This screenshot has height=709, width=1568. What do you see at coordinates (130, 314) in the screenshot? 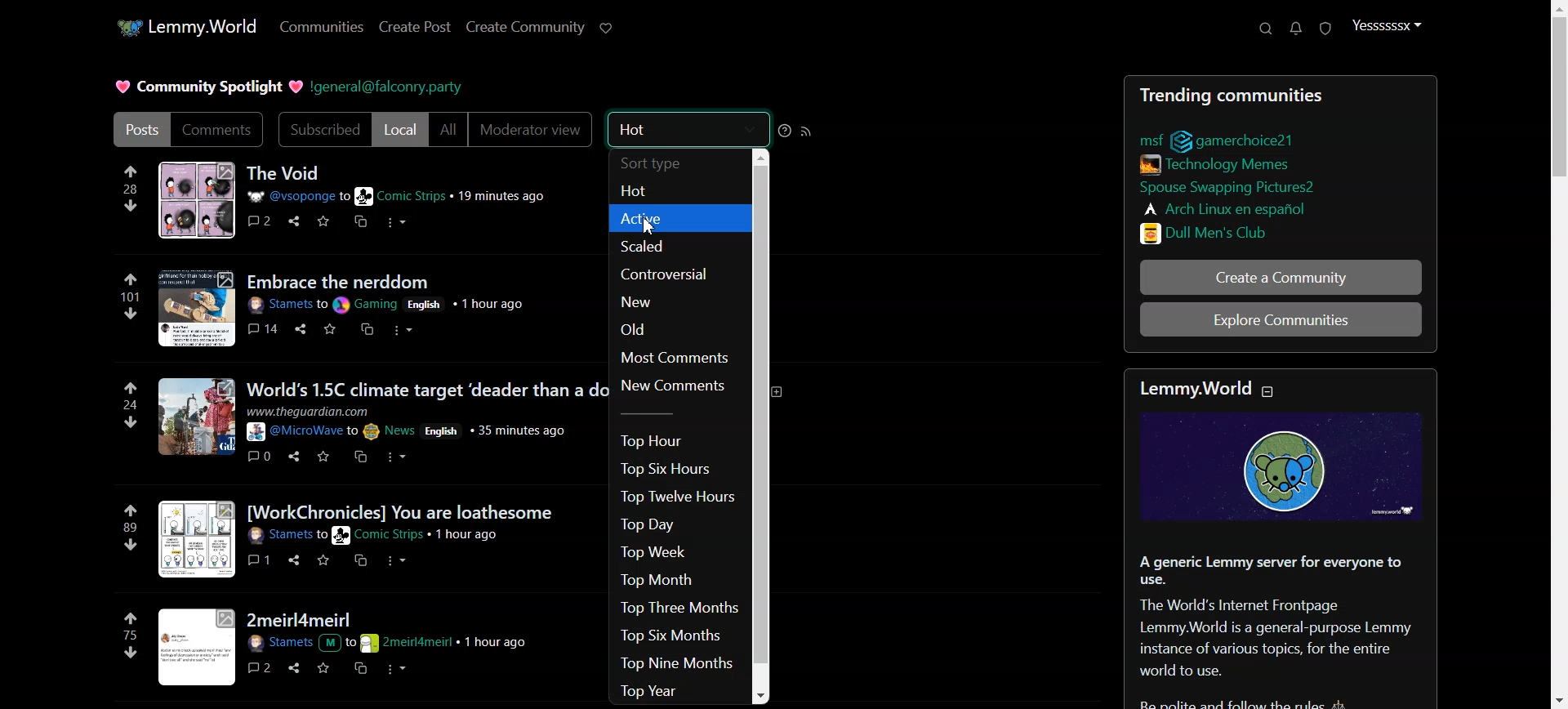
I see `downvote` at bounding box center [130, 314].